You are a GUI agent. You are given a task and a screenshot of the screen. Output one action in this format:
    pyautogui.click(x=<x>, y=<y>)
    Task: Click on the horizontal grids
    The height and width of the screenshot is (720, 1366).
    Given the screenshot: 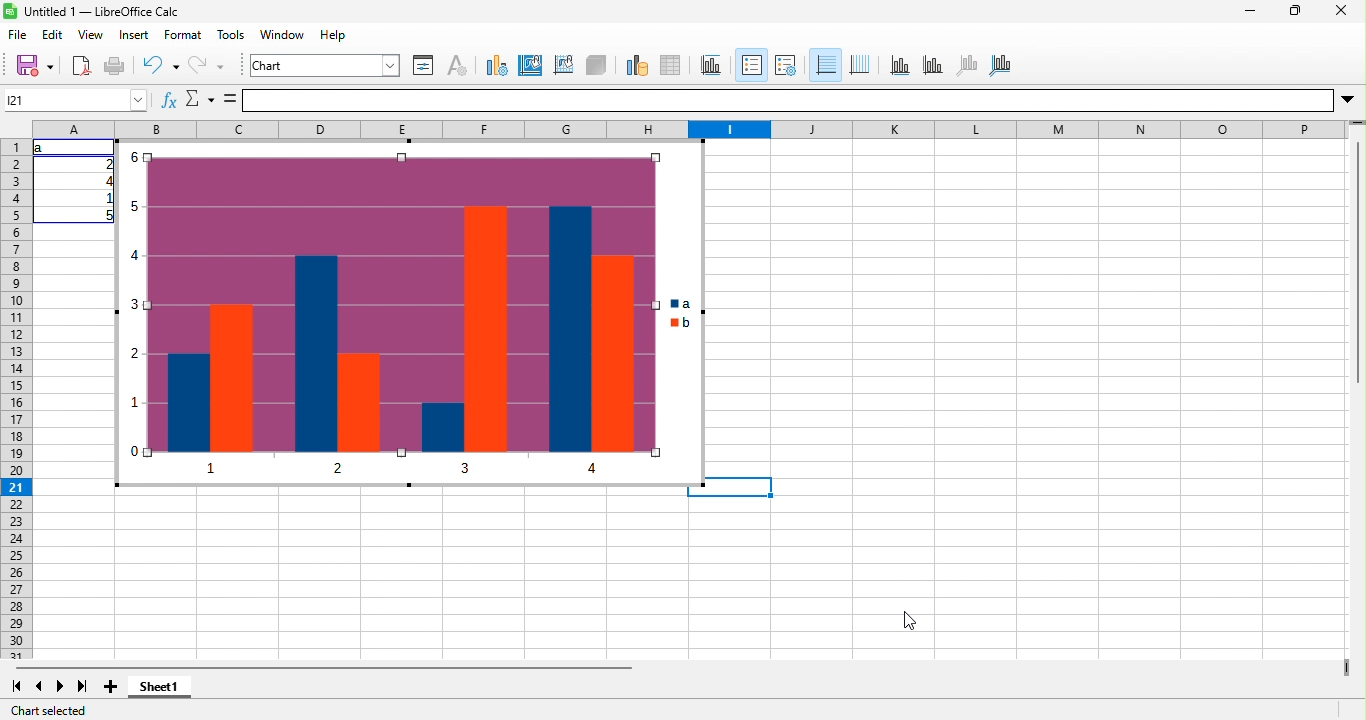 What is the action you would take?
    pyautogui.click(x=825, y=65)
    